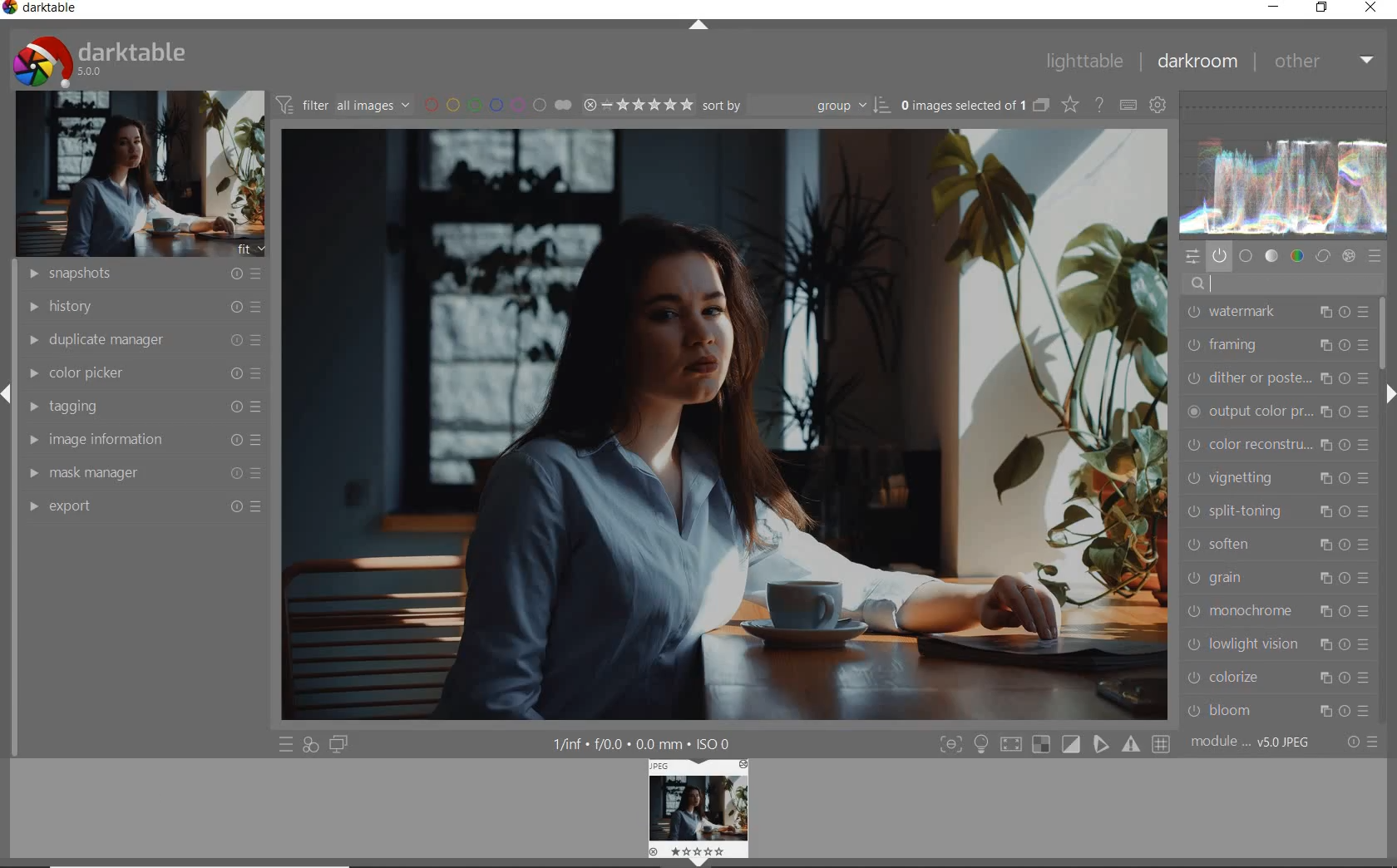 The height and width of the screenshot is (868, 1397). Describe the element at coordinates (343, 104) in the screenshot. I see `filter all images` at that location.